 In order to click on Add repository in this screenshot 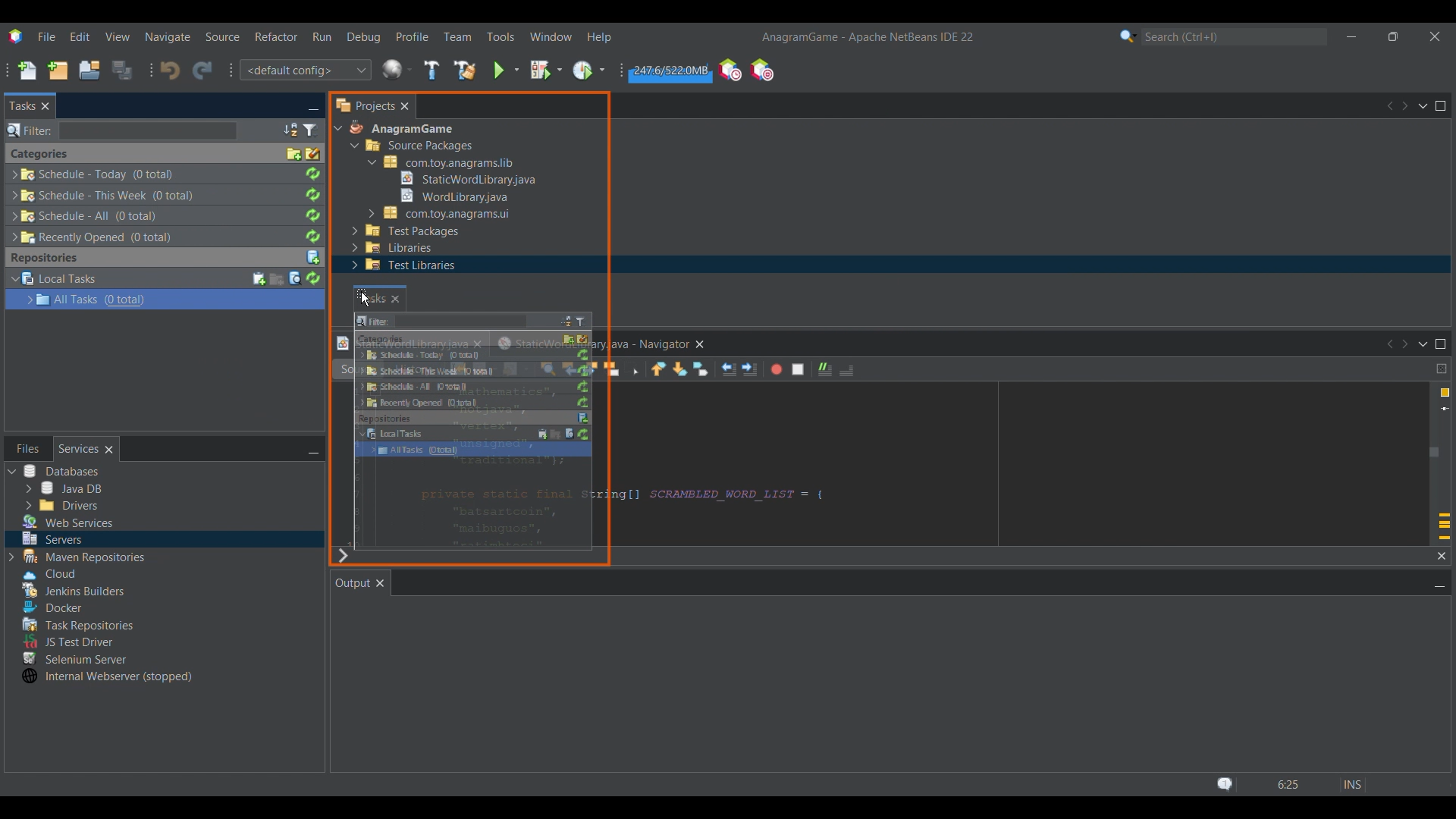, I will do `click(313, 258)`.